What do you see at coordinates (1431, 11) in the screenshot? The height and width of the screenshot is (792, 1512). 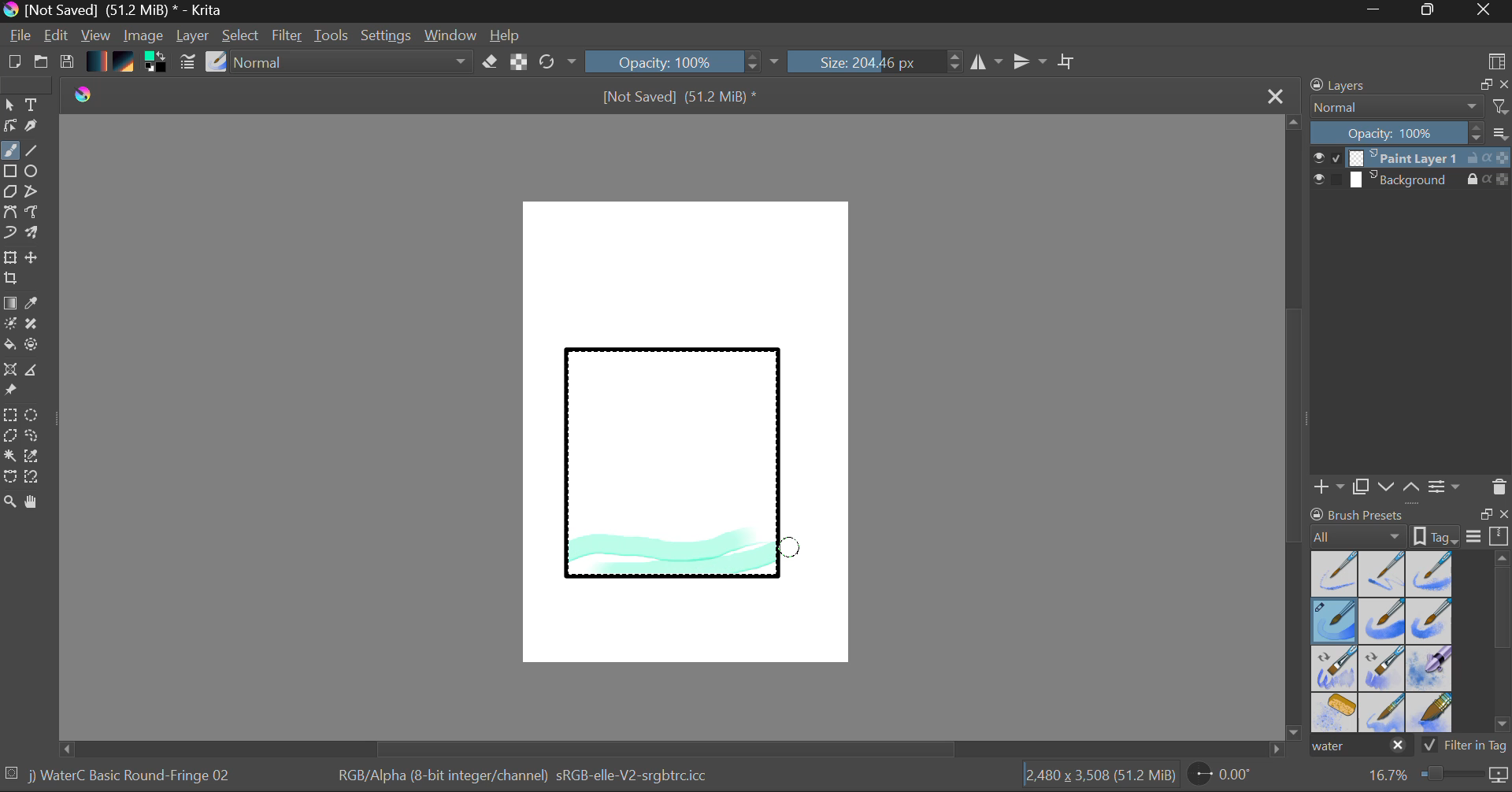 I see `Minimize` at bounding box center [1431, 11].